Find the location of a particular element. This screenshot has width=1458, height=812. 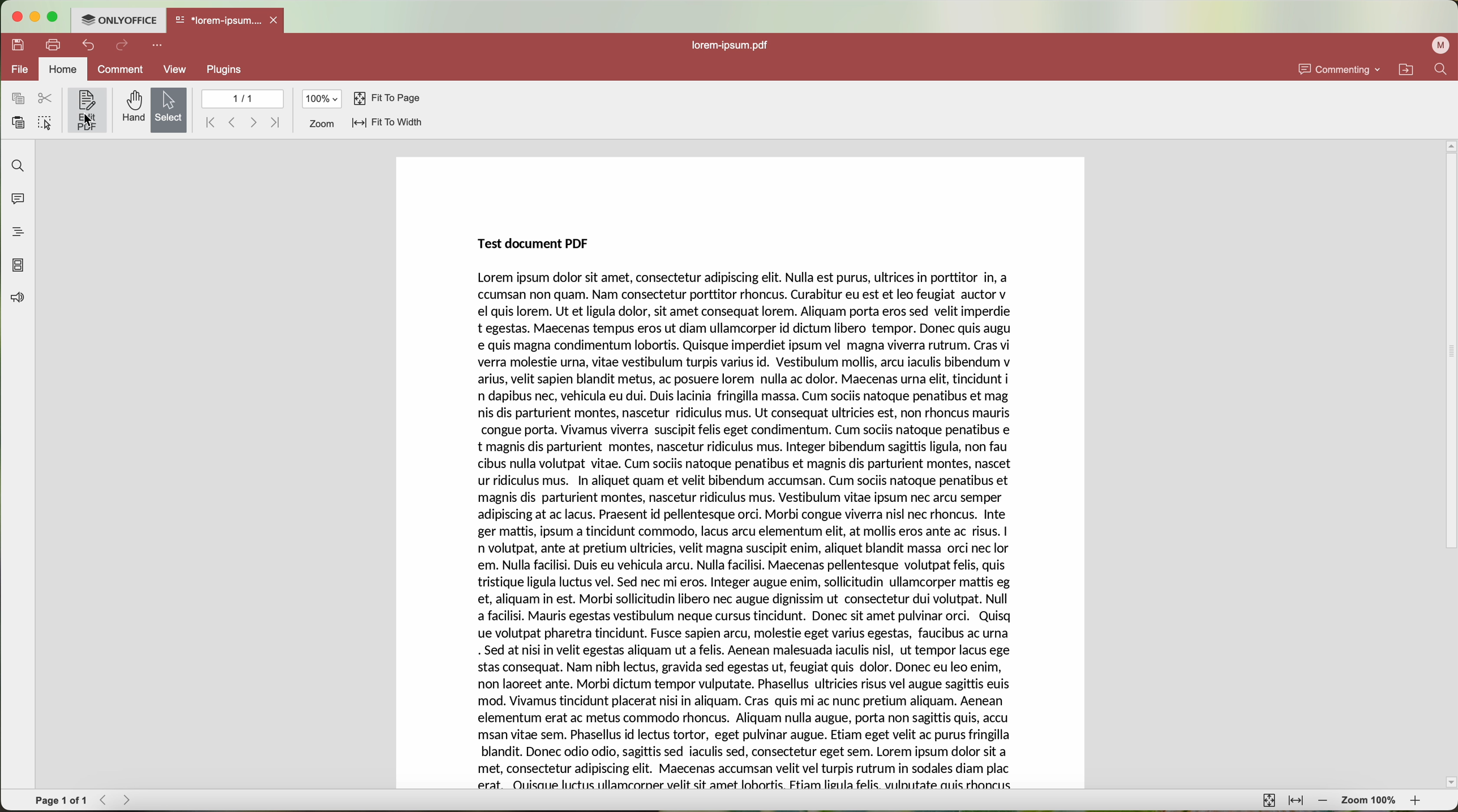

close is located at coordinates (276, 19).